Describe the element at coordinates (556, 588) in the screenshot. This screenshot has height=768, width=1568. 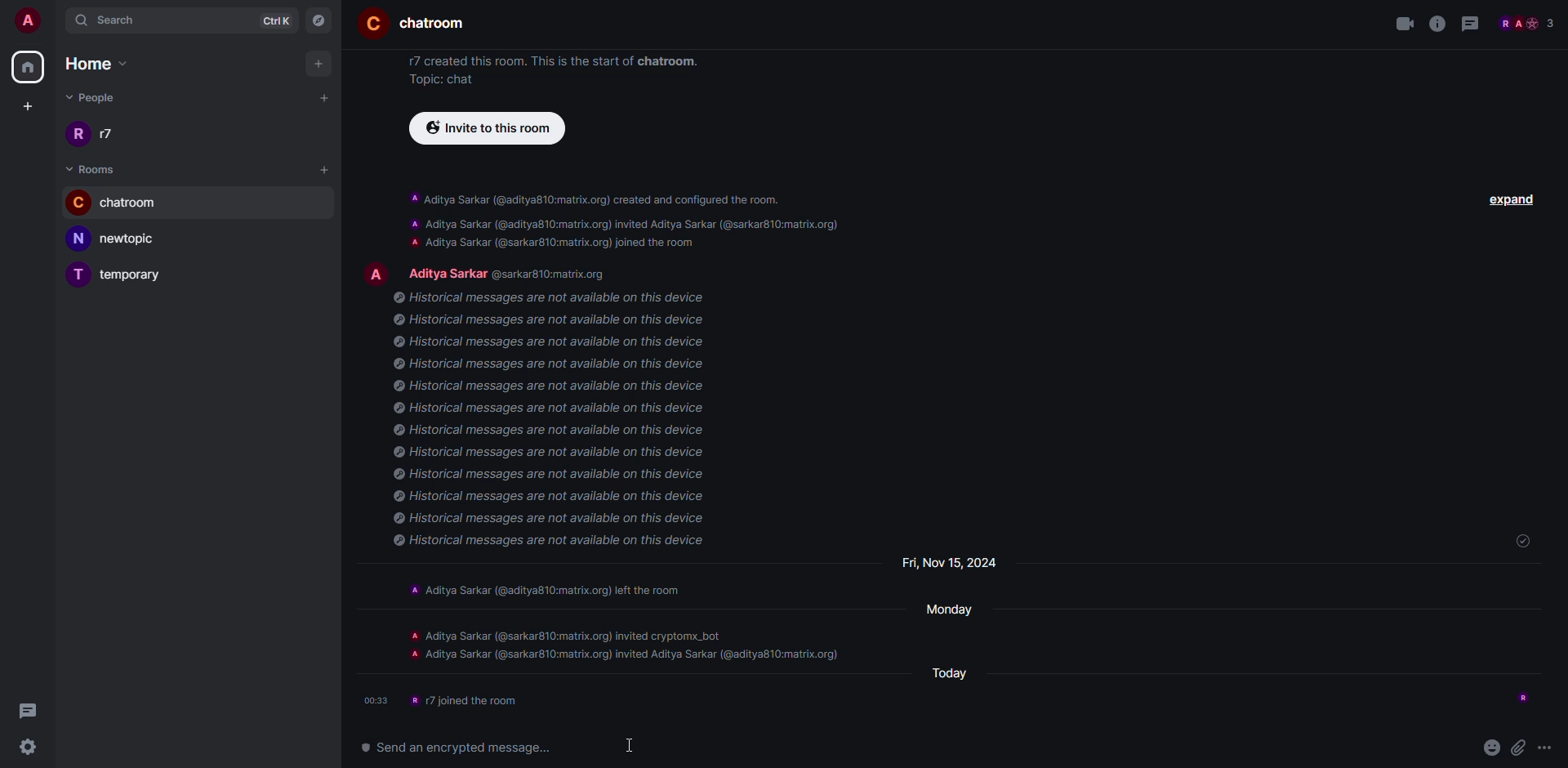
I see `A Aditya Sarkar (@aditya810:matrix.org) left the room` at that location.